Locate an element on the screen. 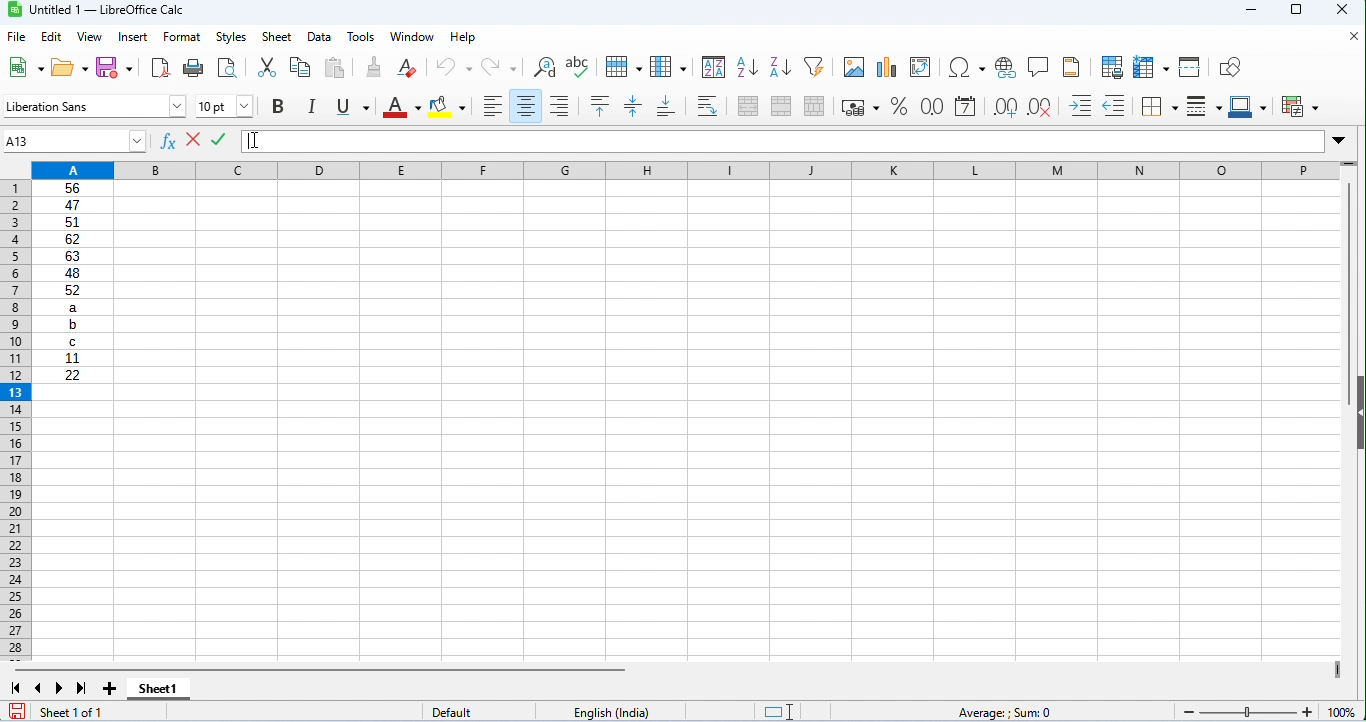 The height and width of the screenshot is (722, 1366). Vertical slide bar is located at coordinates (1350, 294).